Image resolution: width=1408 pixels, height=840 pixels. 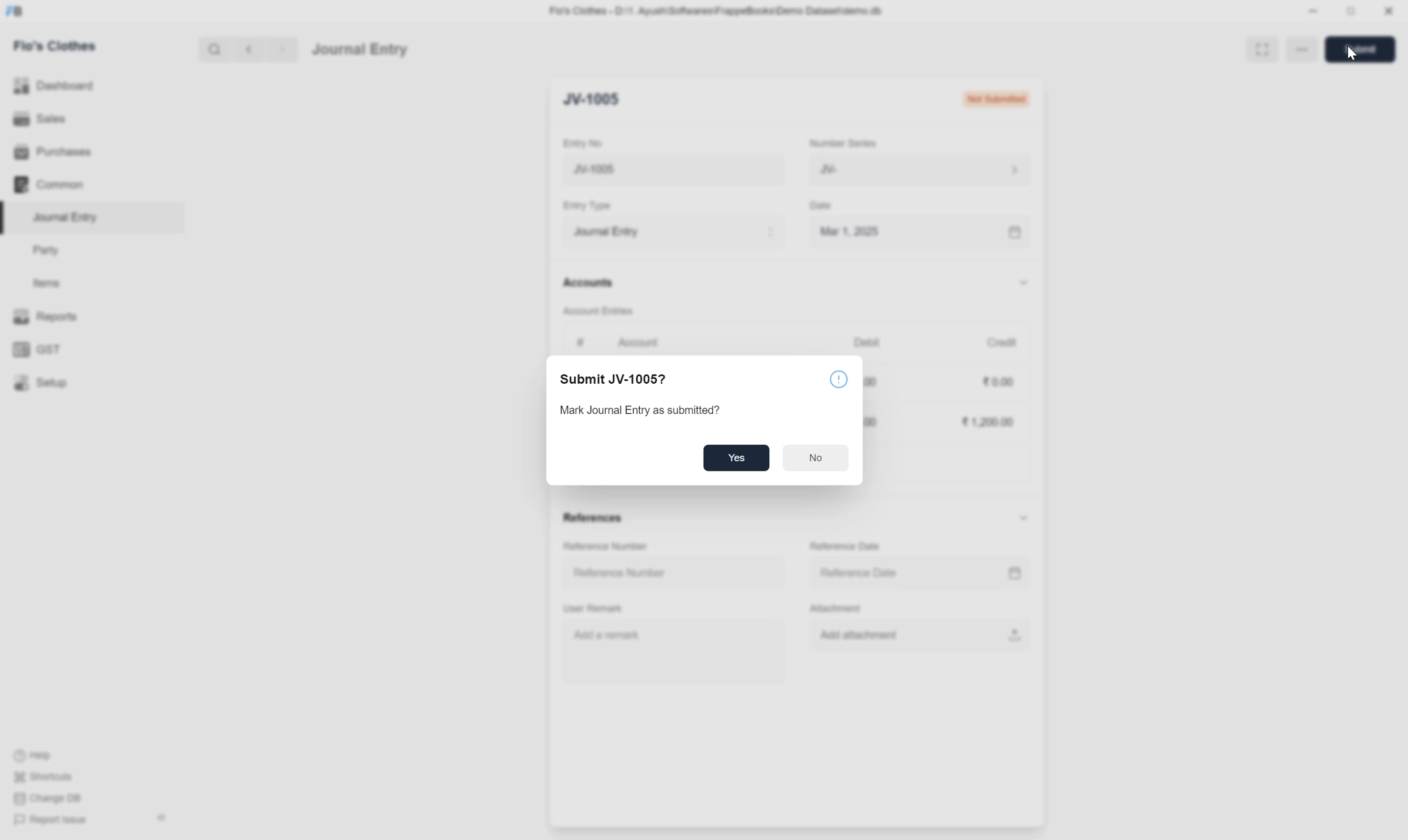 I want to click on Party, so click(x=49, y=251).